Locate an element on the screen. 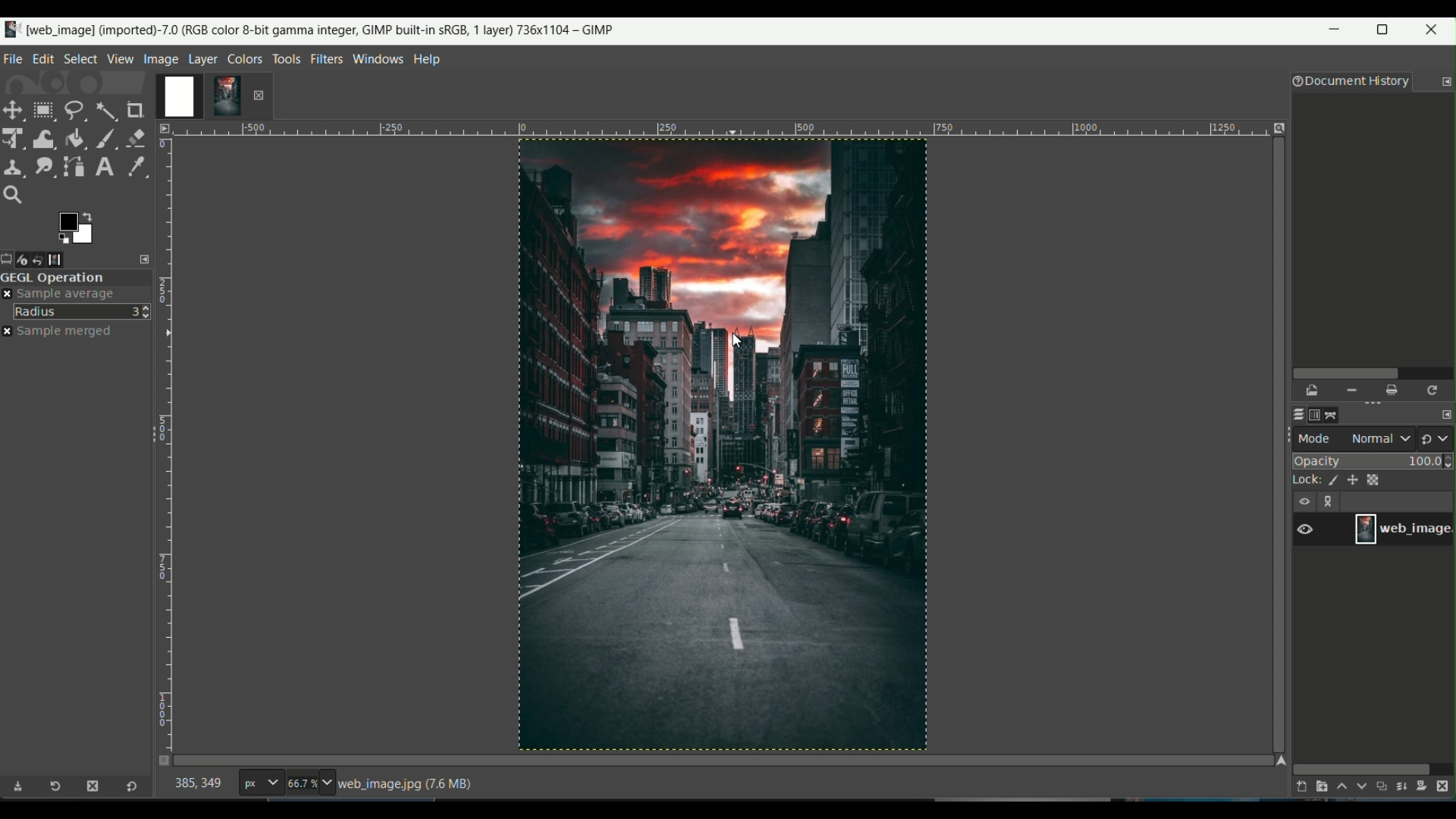 The width and height of the screenshot is (1456, 819). lock pixels is located at coordinates (1329, 482).